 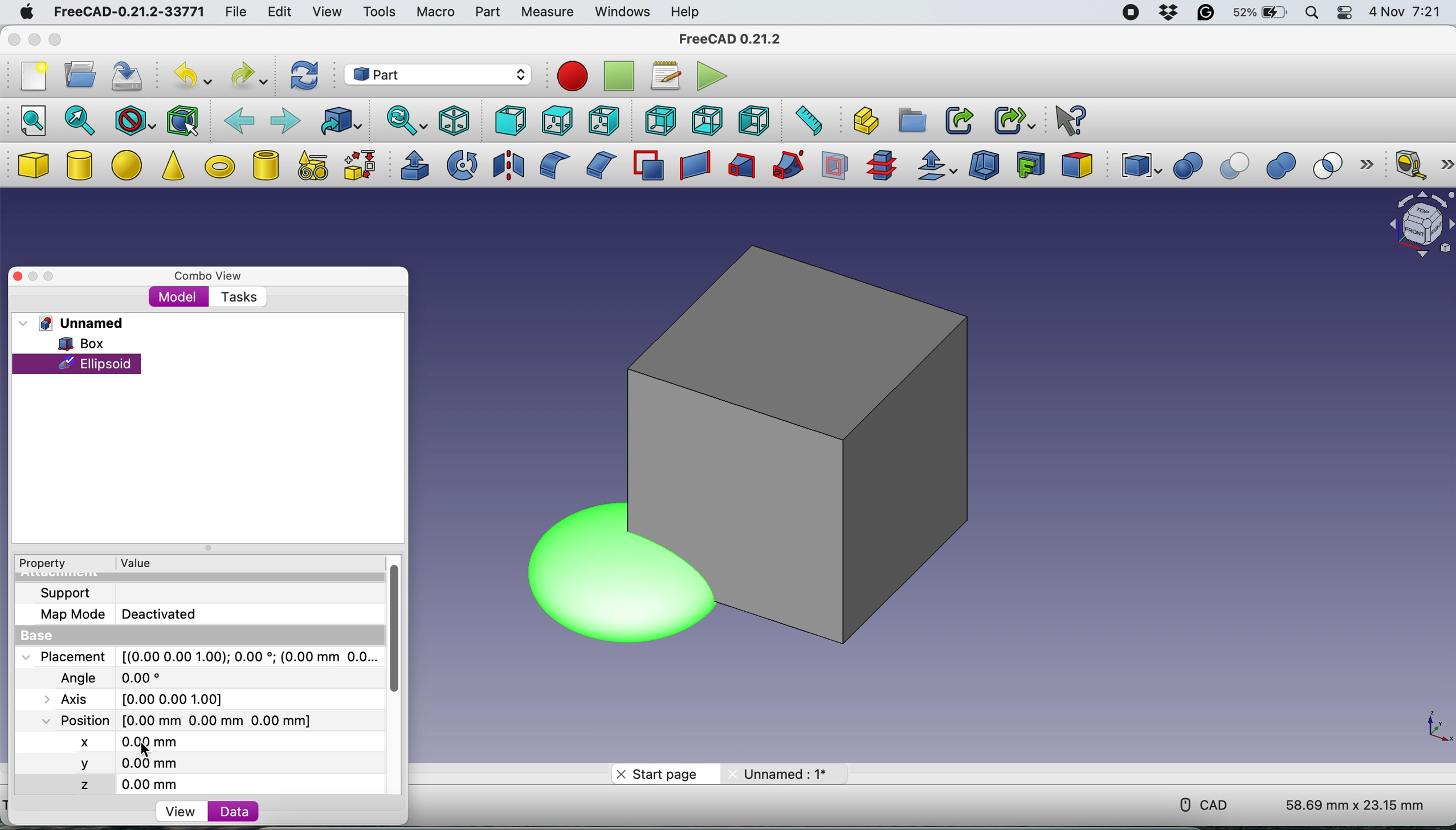 I want to click on file, so click(x=236, y=13).